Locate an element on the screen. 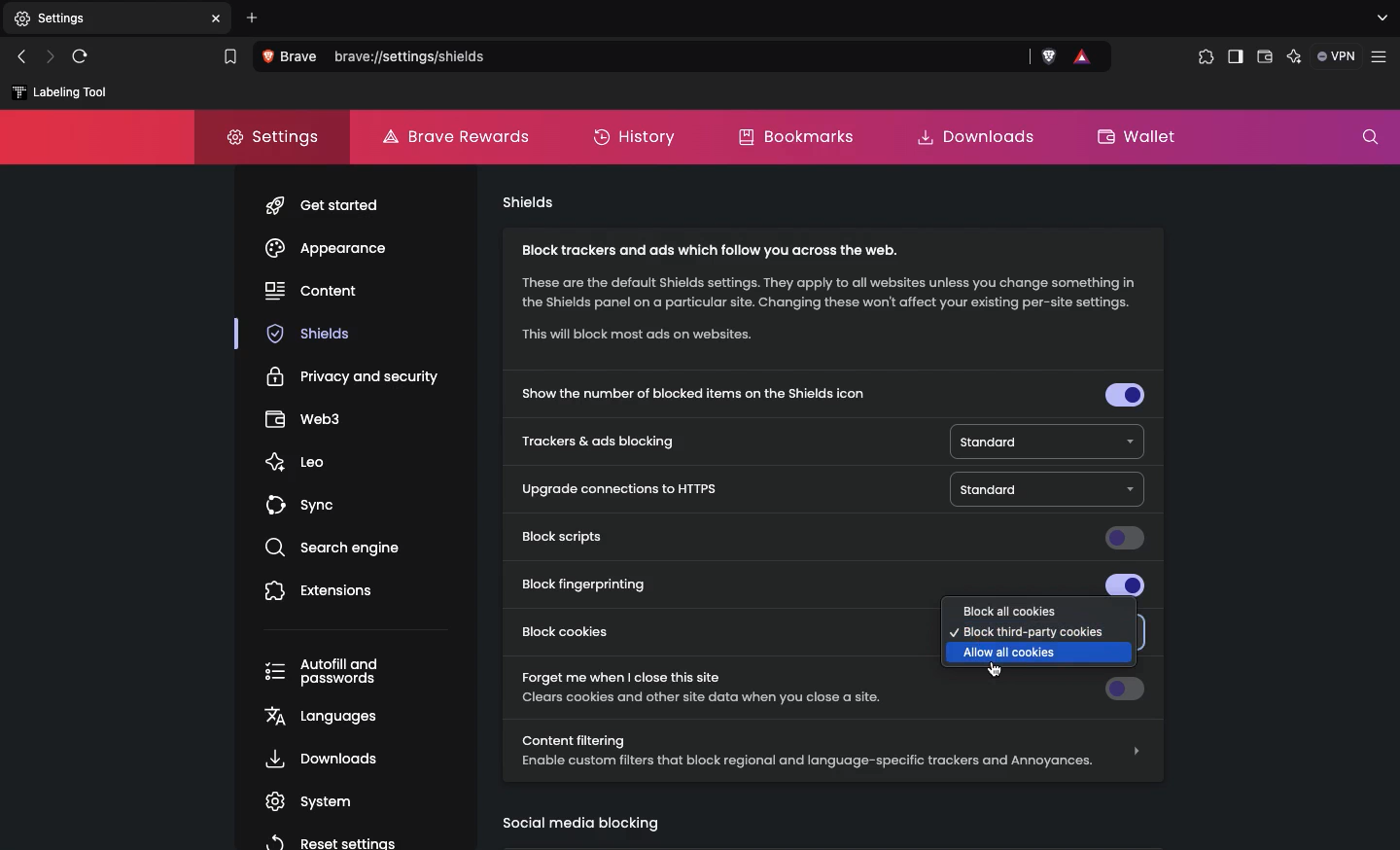 The height and width of the screenshot is (850, 1400). Privacy and security is located at coordinates (351, 377).